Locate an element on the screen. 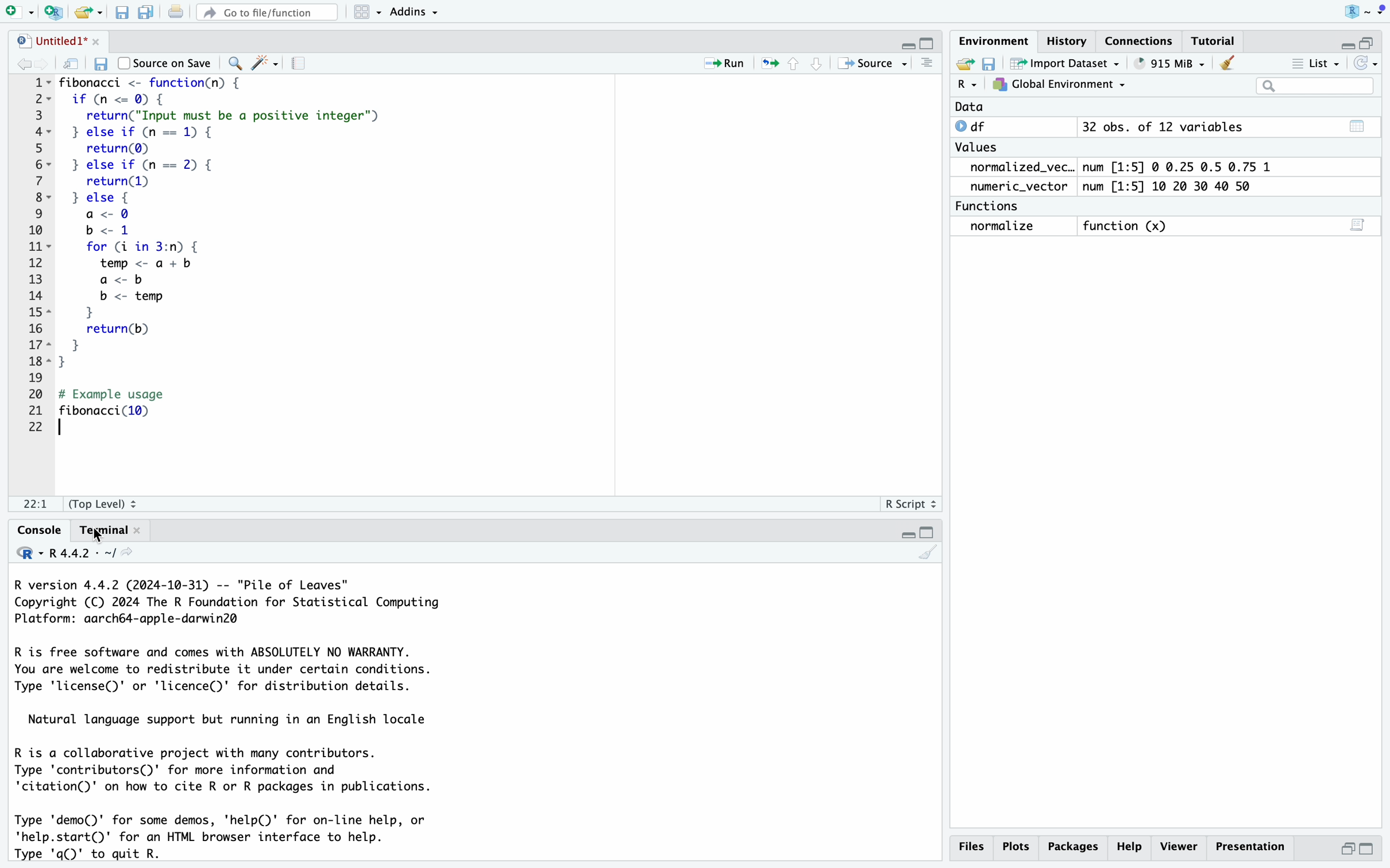 This screenshot has height=868, width=1390. go back to the previous source location is located at coordinates (15, 64).